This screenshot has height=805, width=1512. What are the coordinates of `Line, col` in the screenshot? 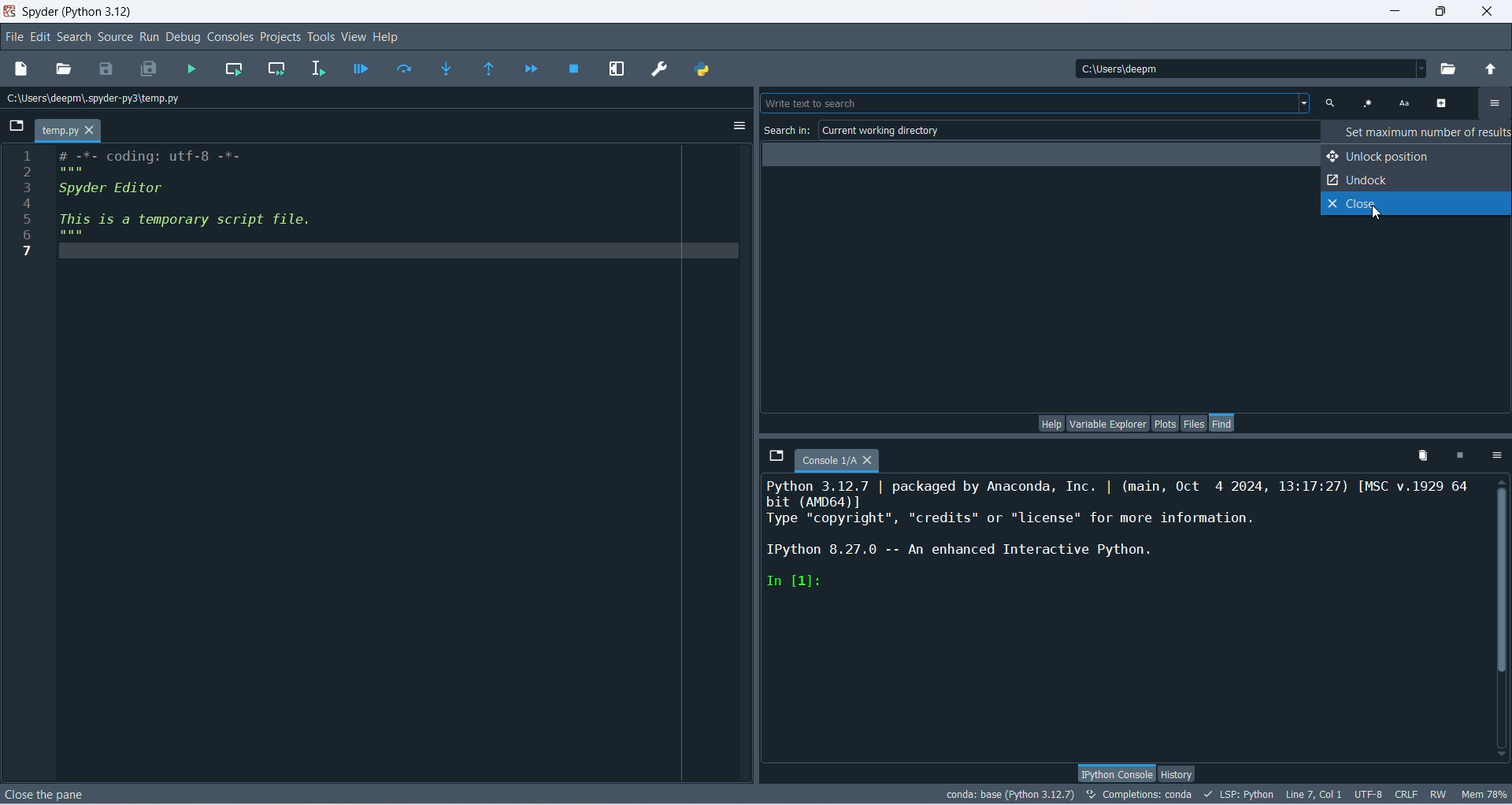 It's located at (1312, 794).